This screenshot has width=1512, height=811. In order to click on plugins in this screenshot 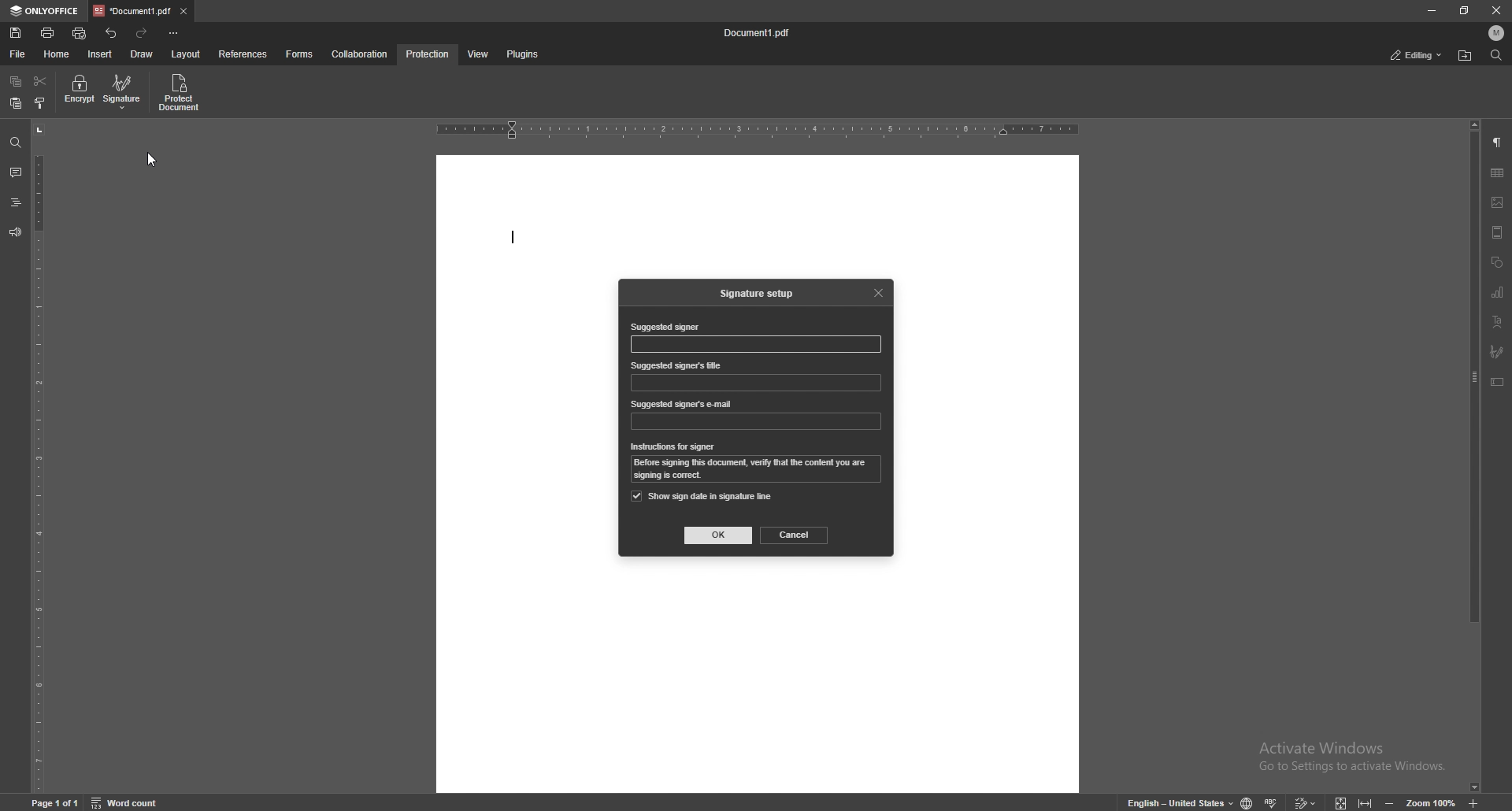, I will do `click(521, 55)`.